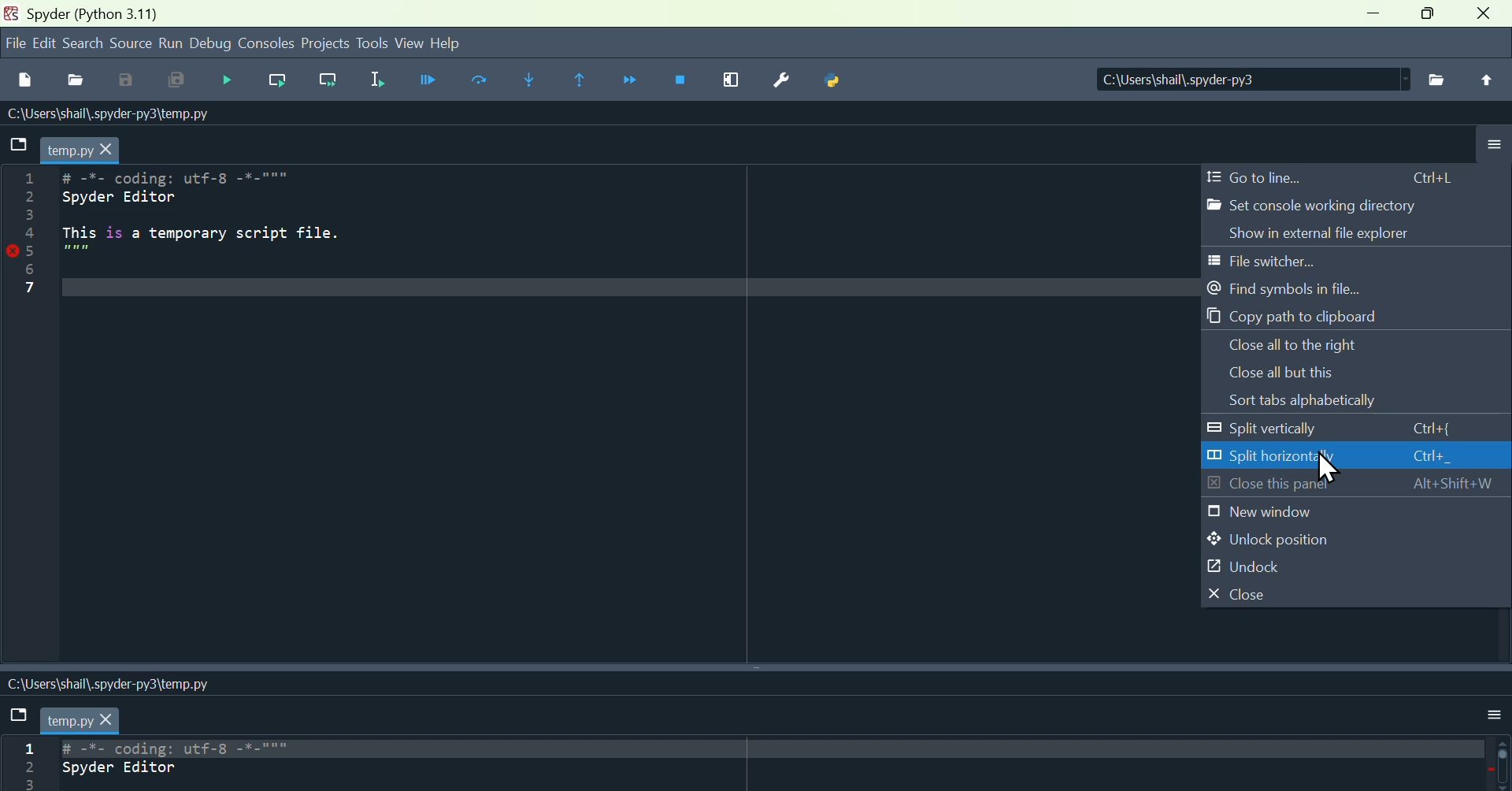  I want to click on filename, so click(87, 720).